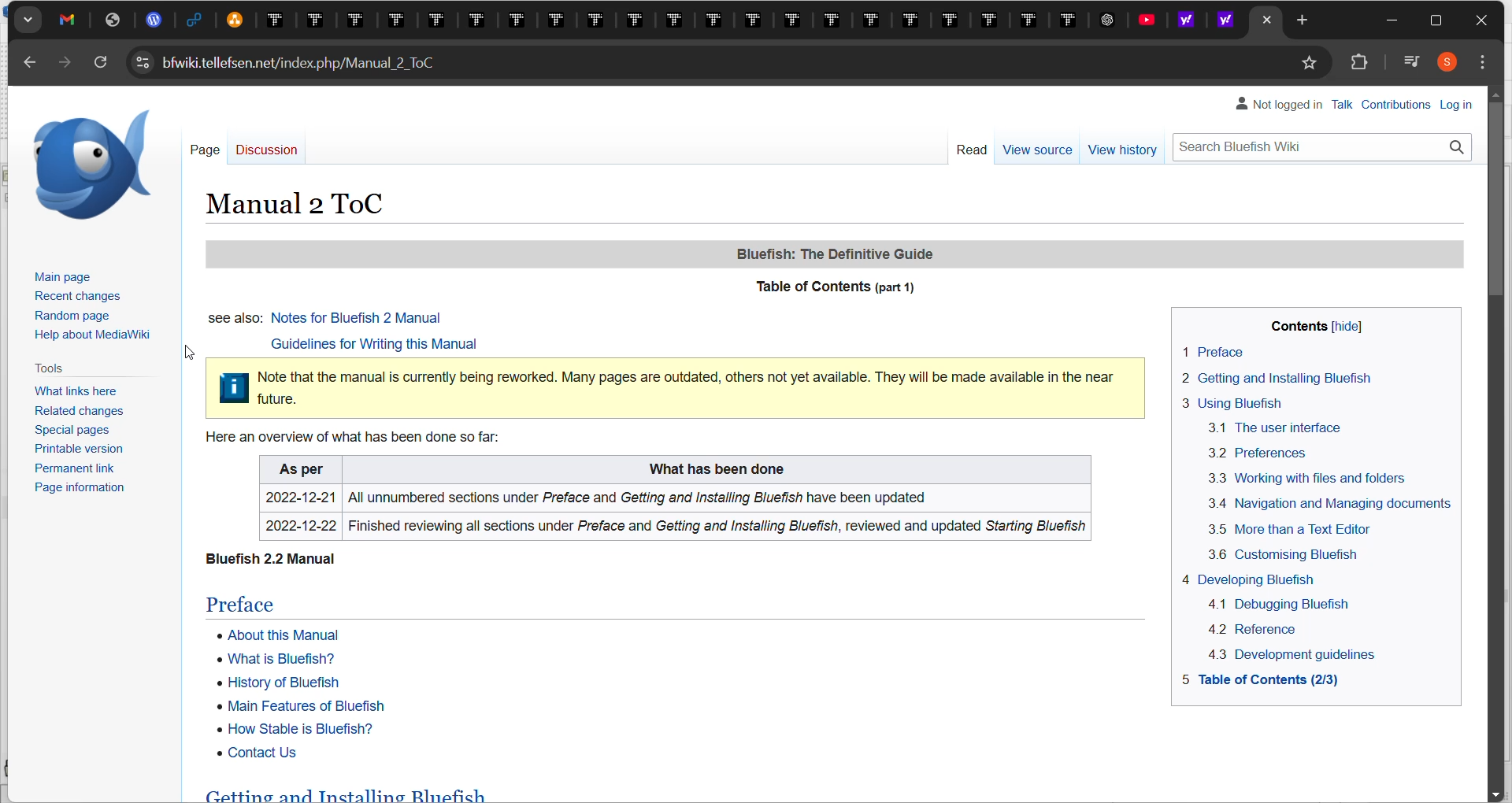 The image size is (1512, 803). What do you see at coordinates (68, 470) in the screenshot?
I see `Permanent link` at bounding box center [68, 470].